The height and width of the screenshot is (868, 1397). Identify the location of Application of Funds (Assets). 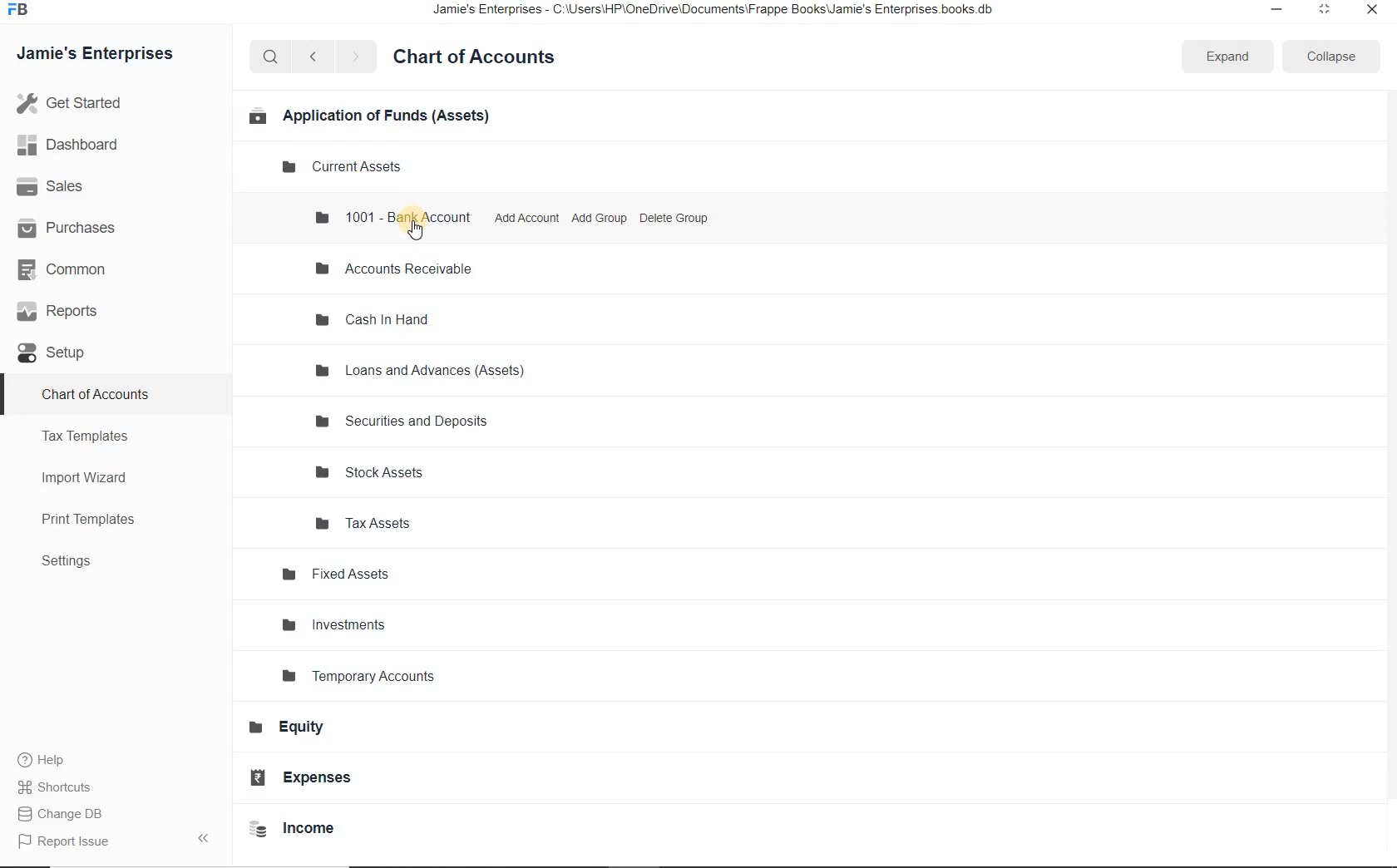
(368, 115).